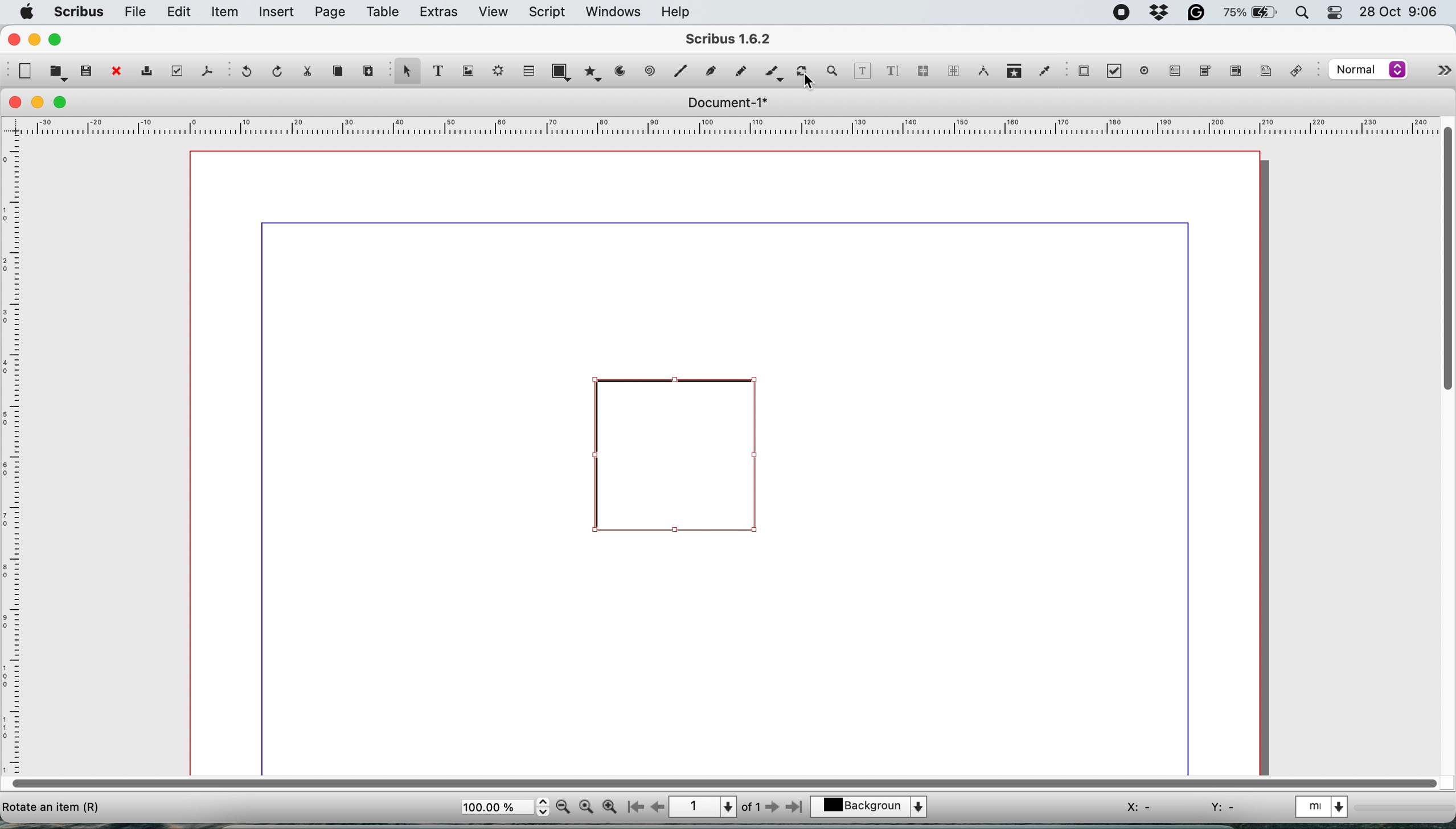 The width and height of the screenshot is (1456, 829). I want to click on maximise, so click(59, 40).